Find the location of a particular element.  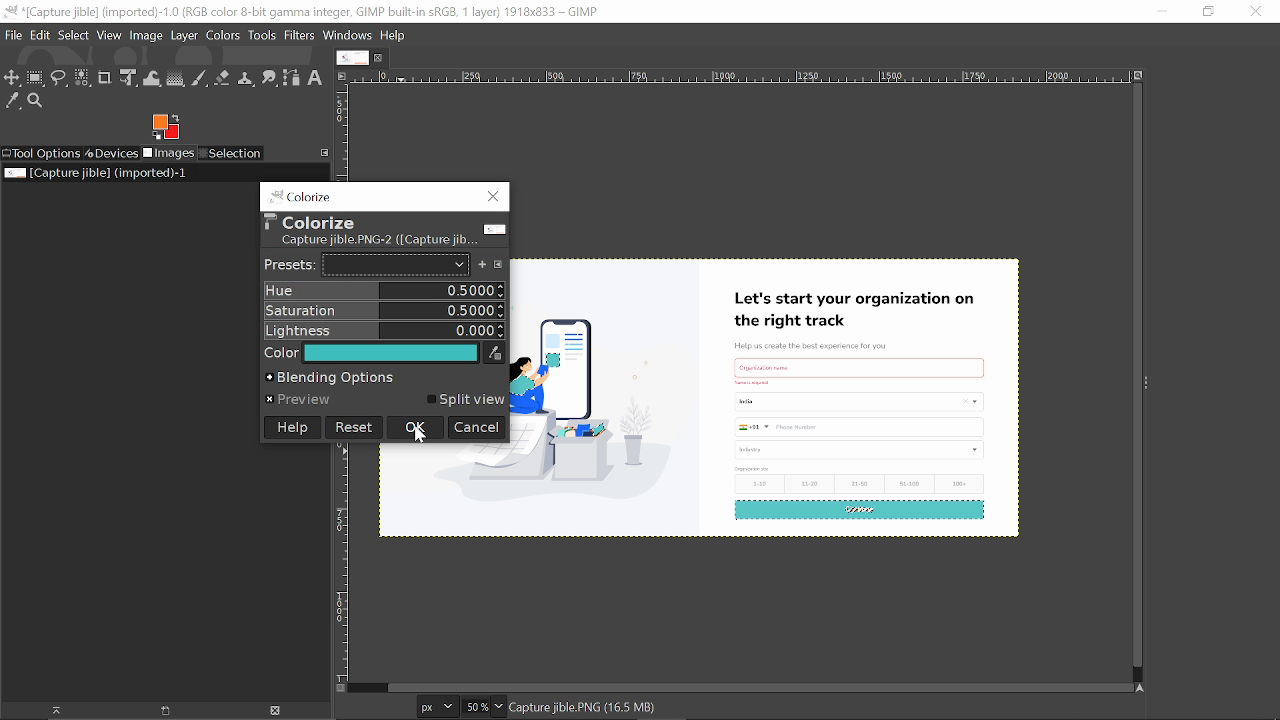

Layer is located at coordinates (184, 35).